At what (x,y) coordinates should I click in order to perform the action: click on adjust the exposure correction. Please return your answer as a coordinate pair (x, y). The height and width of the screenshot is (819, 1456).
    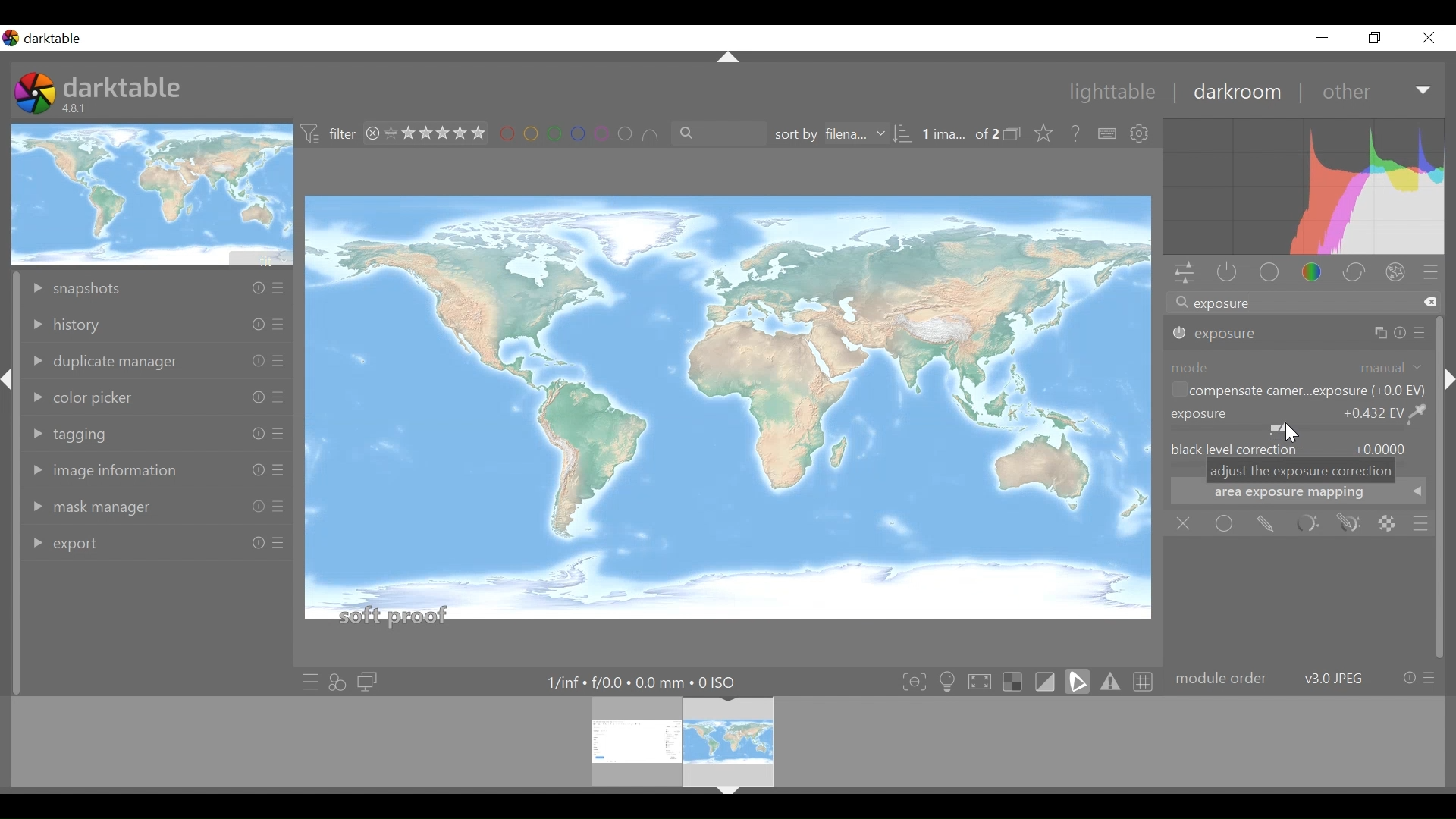
    Looking at the image, I should click on (1301, 471).